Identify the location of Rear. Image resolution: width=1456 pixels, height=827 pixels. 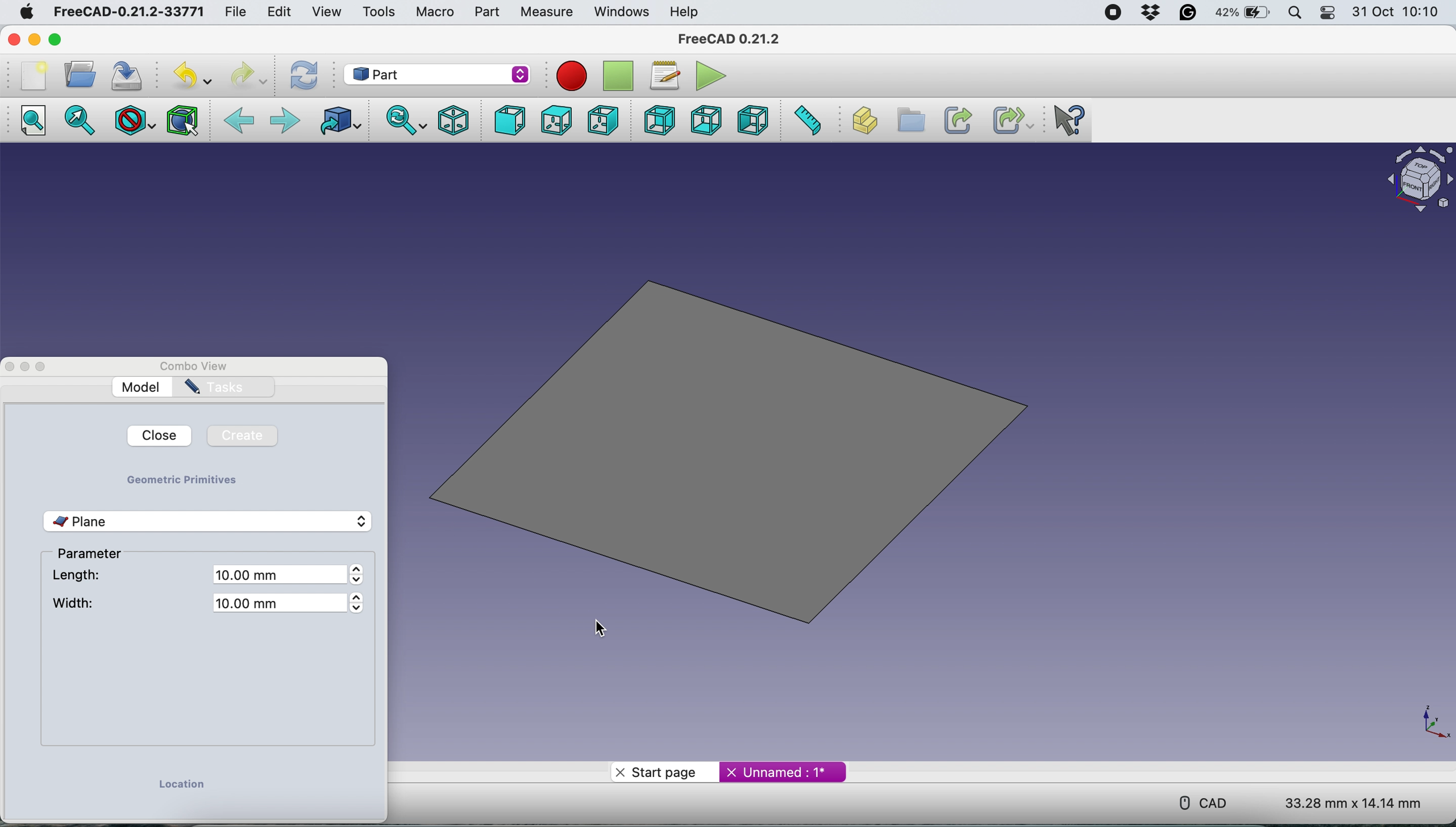
(659, 119).